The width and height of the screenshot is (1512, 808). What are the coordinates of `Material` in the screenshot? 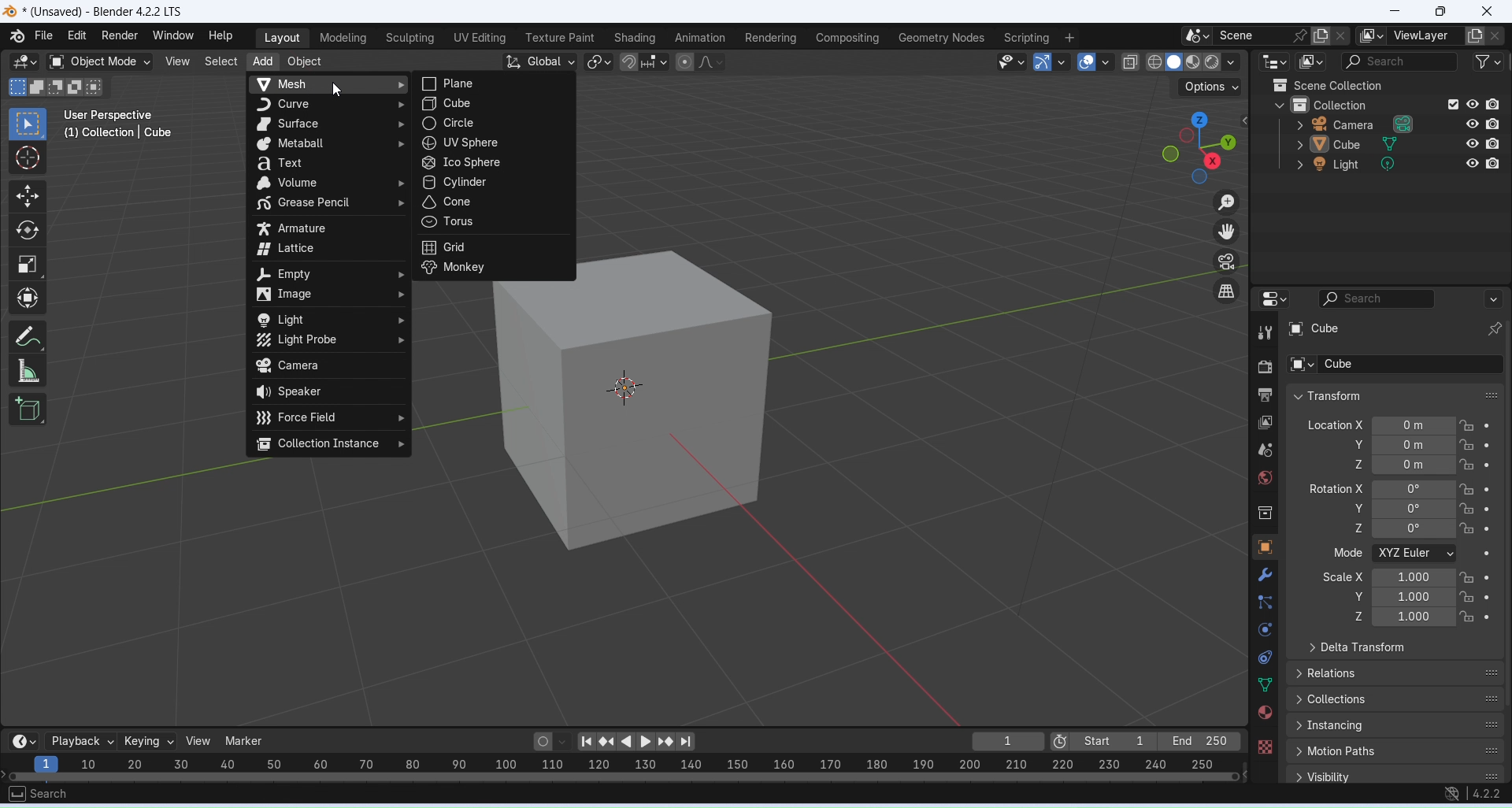 It's located at (1264, 712).